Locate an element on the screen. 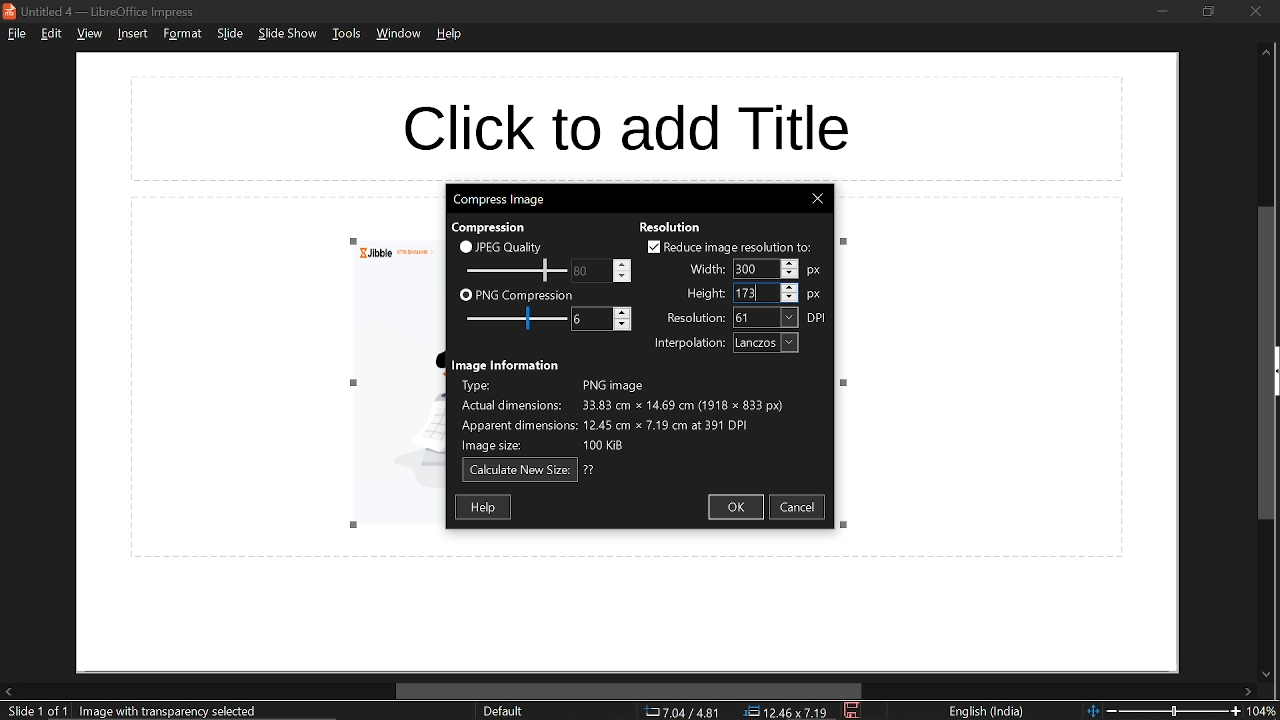  current window is located at coordinates (500, 200).